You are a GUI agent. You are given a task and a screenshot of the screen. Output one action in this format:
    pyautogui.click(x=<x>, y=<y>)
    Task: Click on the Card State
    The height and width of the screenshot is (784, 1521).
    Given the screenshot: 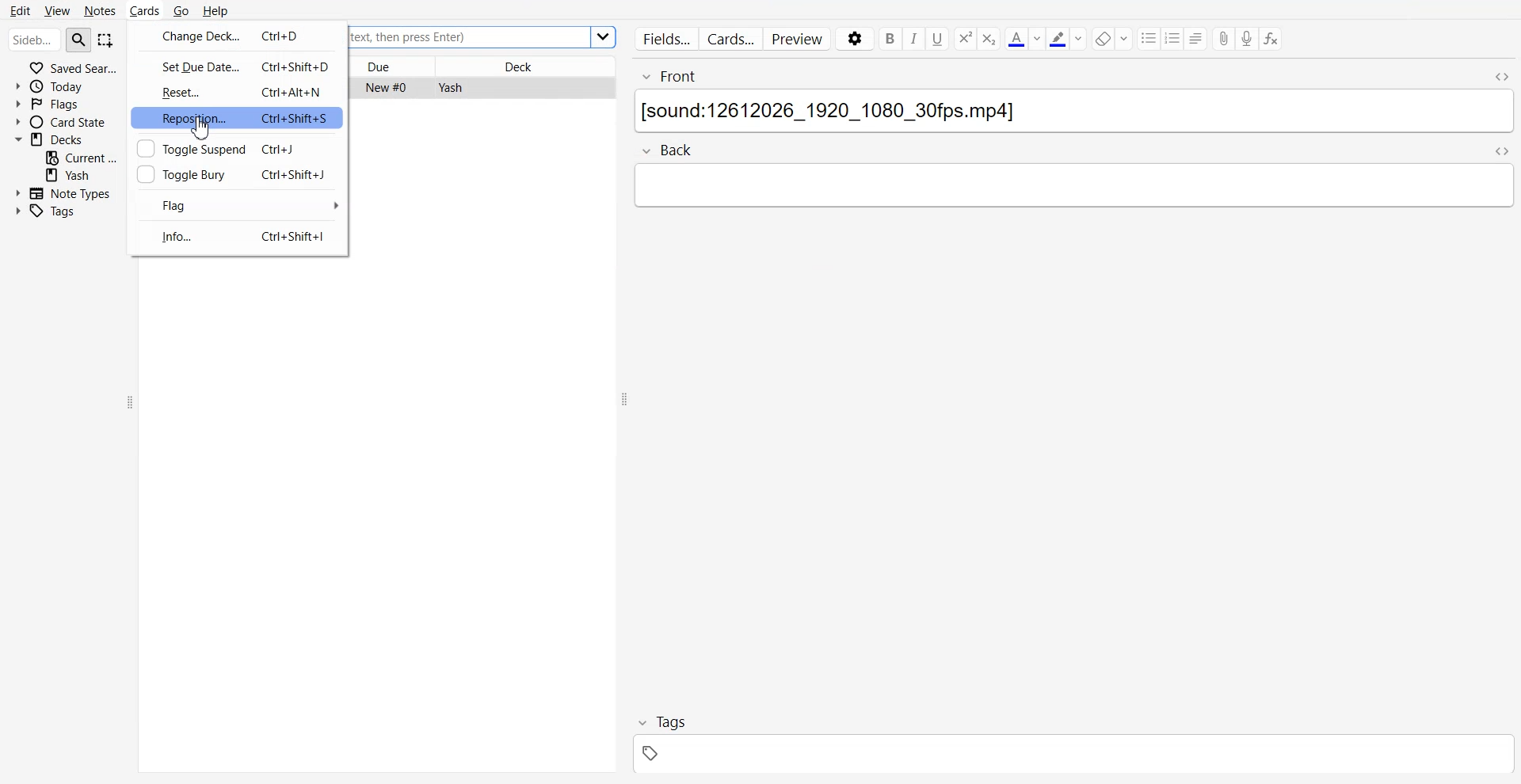 What is the action you would take?
    pyautogui.click(x=66, y=122)
    